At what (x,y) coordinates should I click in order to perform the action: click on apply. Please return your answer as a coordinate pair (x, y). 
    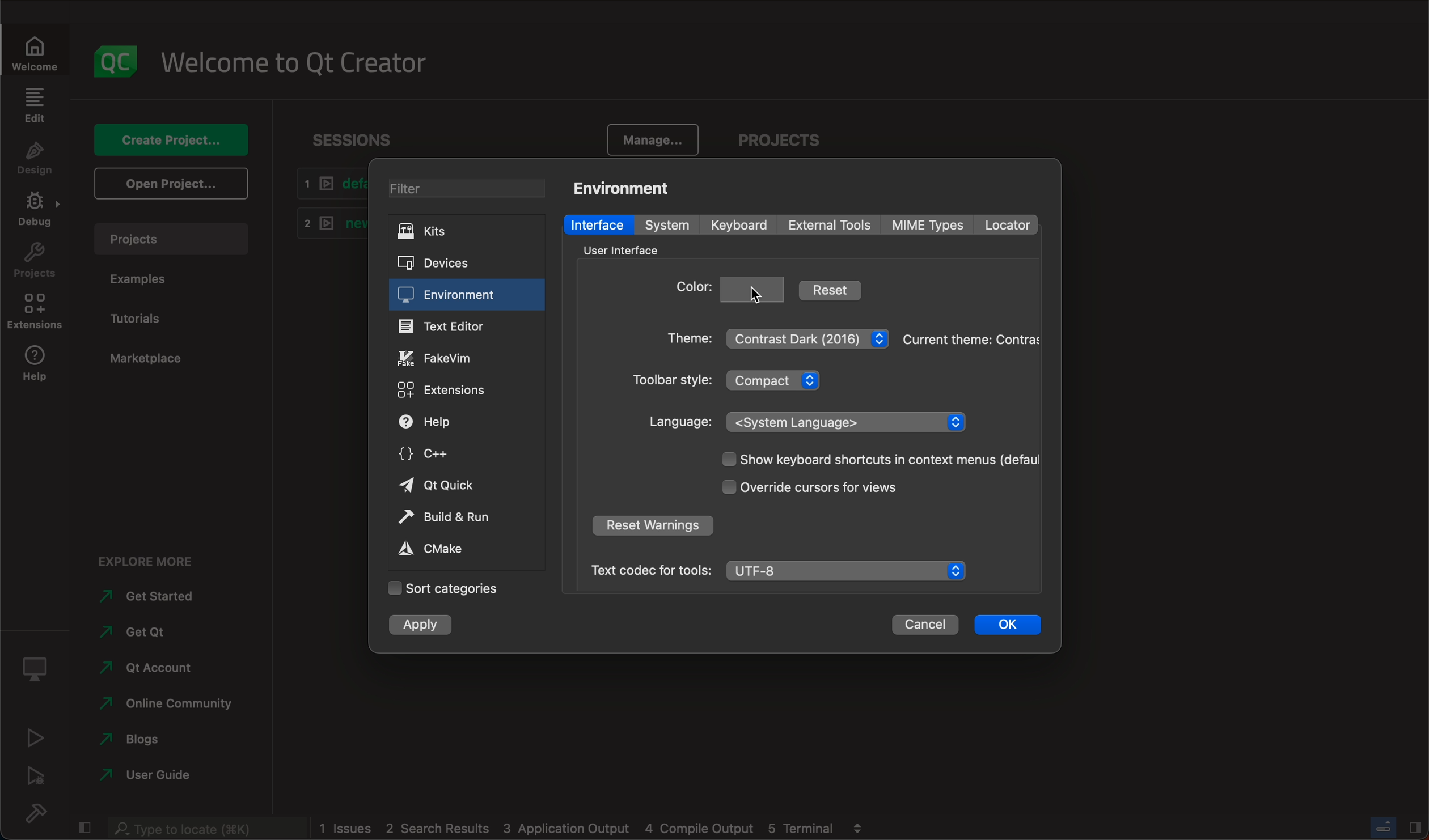
    Looking at the image, I should click on (425, 624).